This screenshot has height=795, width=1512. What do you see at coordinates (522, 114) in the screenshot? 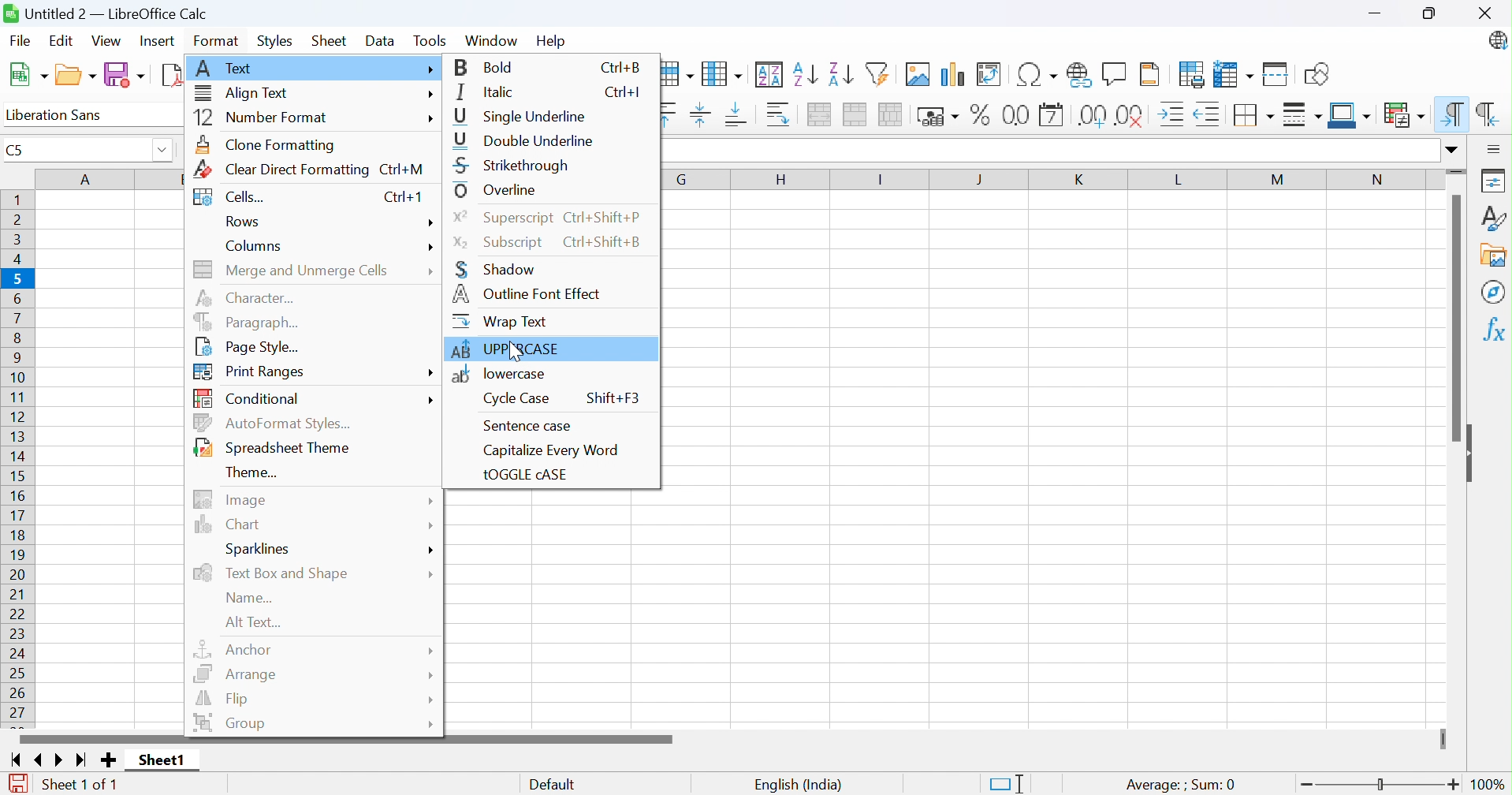
I see `Single underline` at bounding box center [522, 114].